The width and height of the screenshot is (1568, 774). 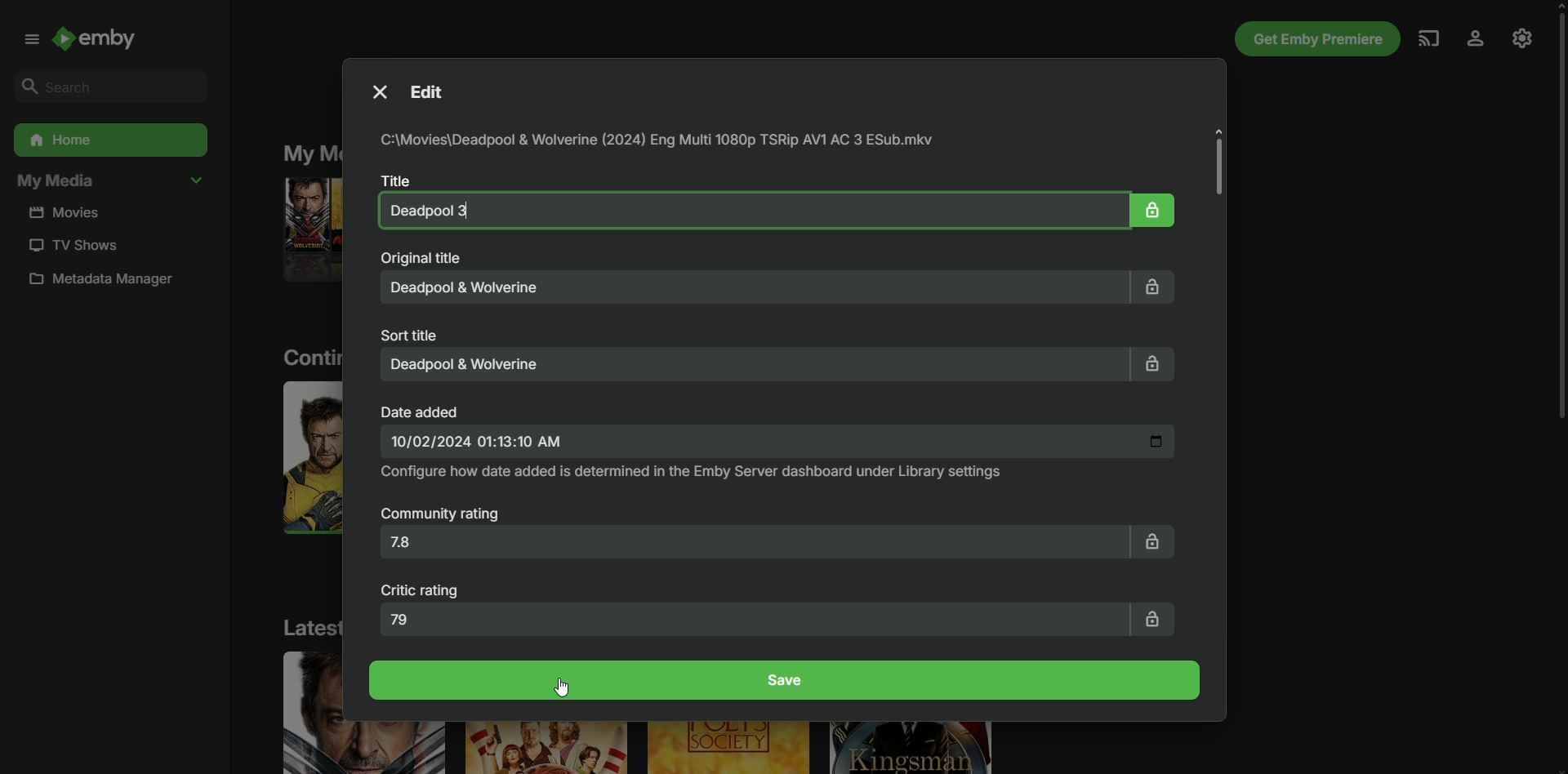 What do you see at coordinates (420, 258) in the screenshot?
I see `Original Title` at bounding box center [420, 258].